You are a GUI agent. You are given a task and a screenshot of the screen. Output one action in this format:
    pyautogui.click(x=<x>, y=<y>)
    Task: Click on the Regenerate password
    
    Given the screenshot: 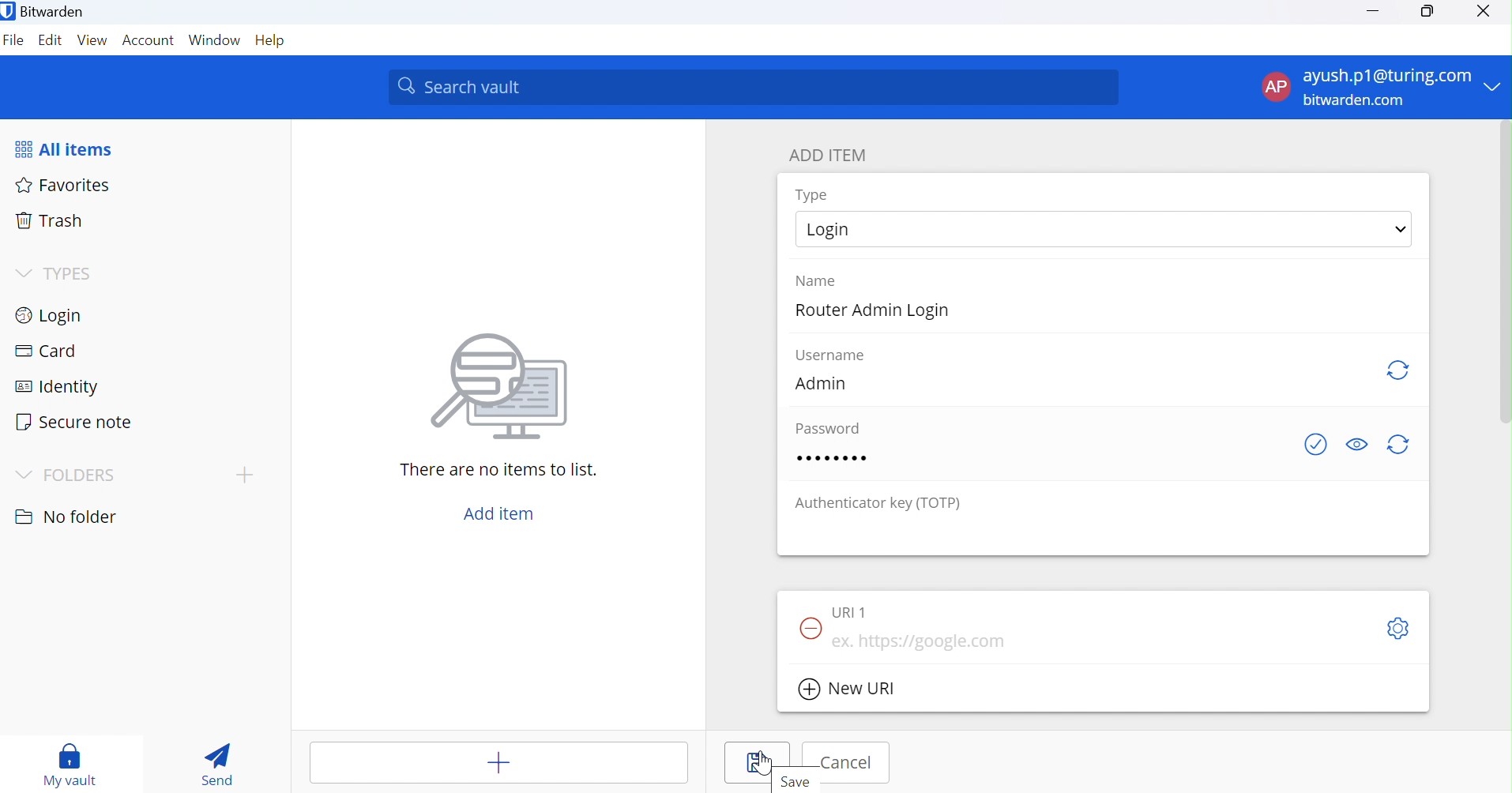 What is the action you would take?
    pyautogui.click(x=1401, y=446)
    